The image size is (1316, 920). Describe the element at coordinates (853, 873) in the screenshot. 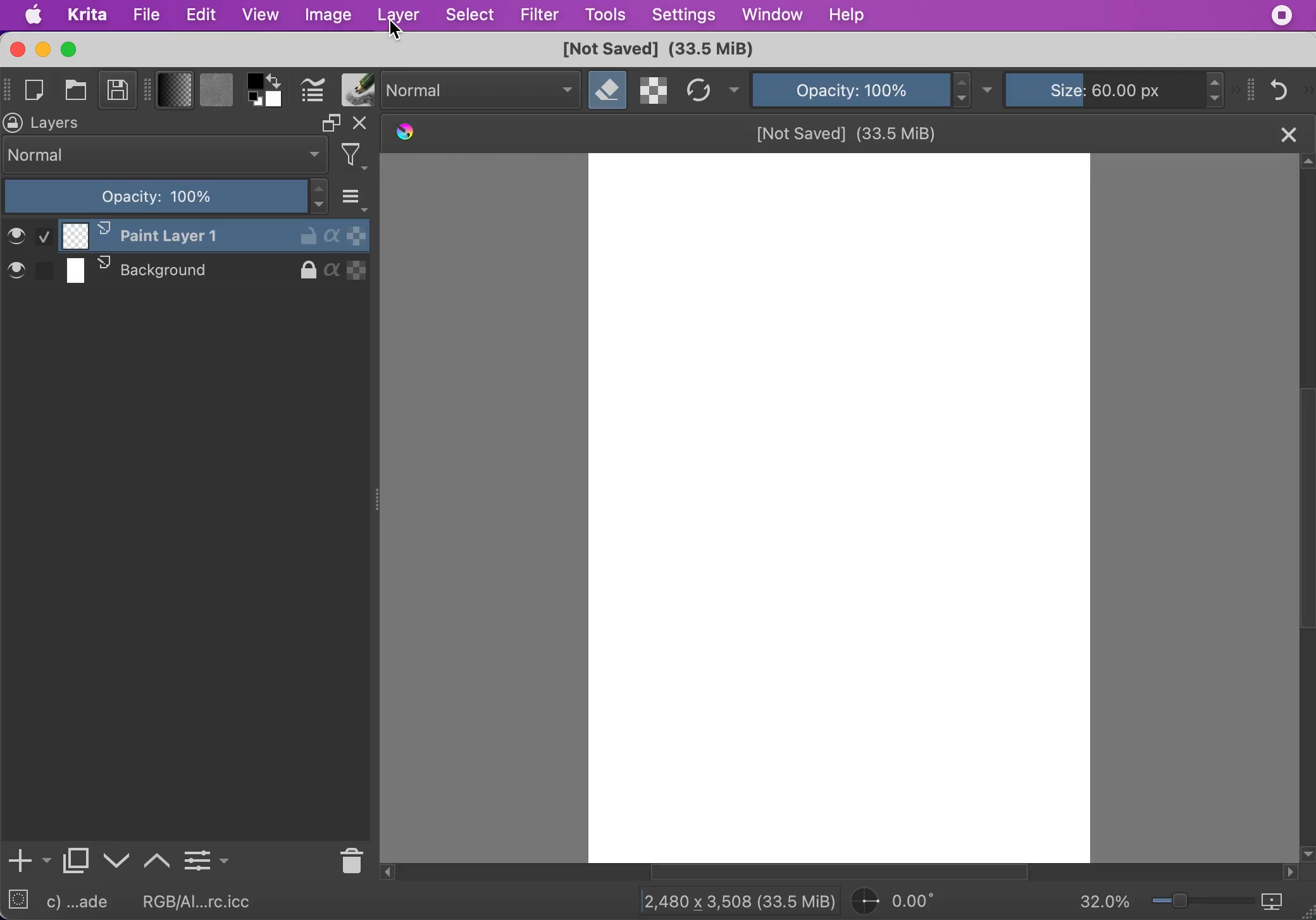

I see `horizontal slider` at that location.